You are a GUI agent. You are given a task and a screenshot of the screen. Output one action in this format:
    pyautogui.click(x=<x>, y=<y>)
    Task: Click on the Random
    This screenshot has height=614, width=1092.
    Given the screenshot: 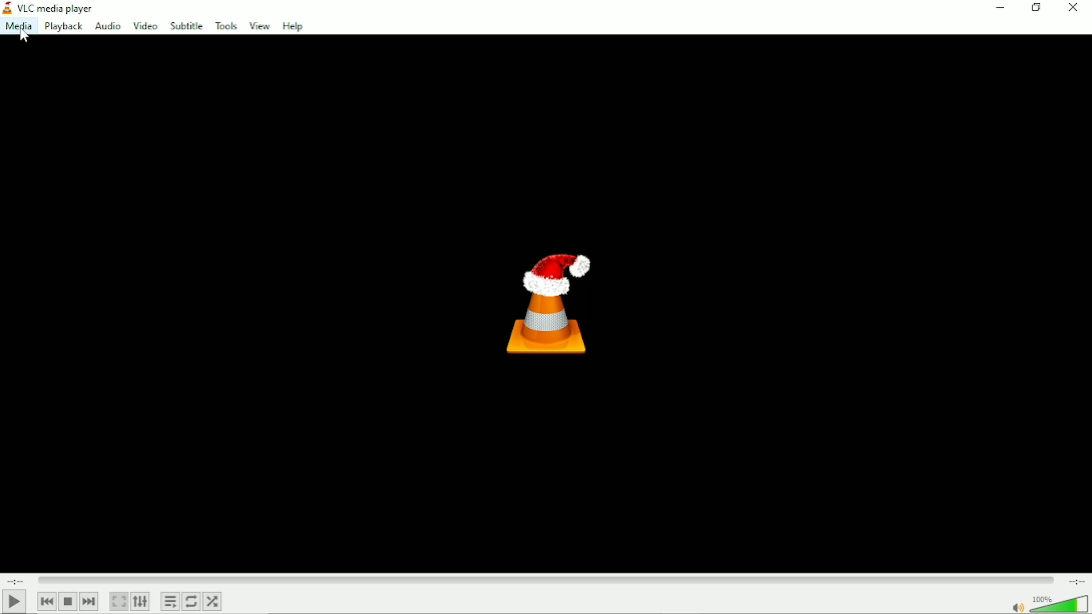 What is the action you would take?
    pyautogui.click(x=214, y=601)
    